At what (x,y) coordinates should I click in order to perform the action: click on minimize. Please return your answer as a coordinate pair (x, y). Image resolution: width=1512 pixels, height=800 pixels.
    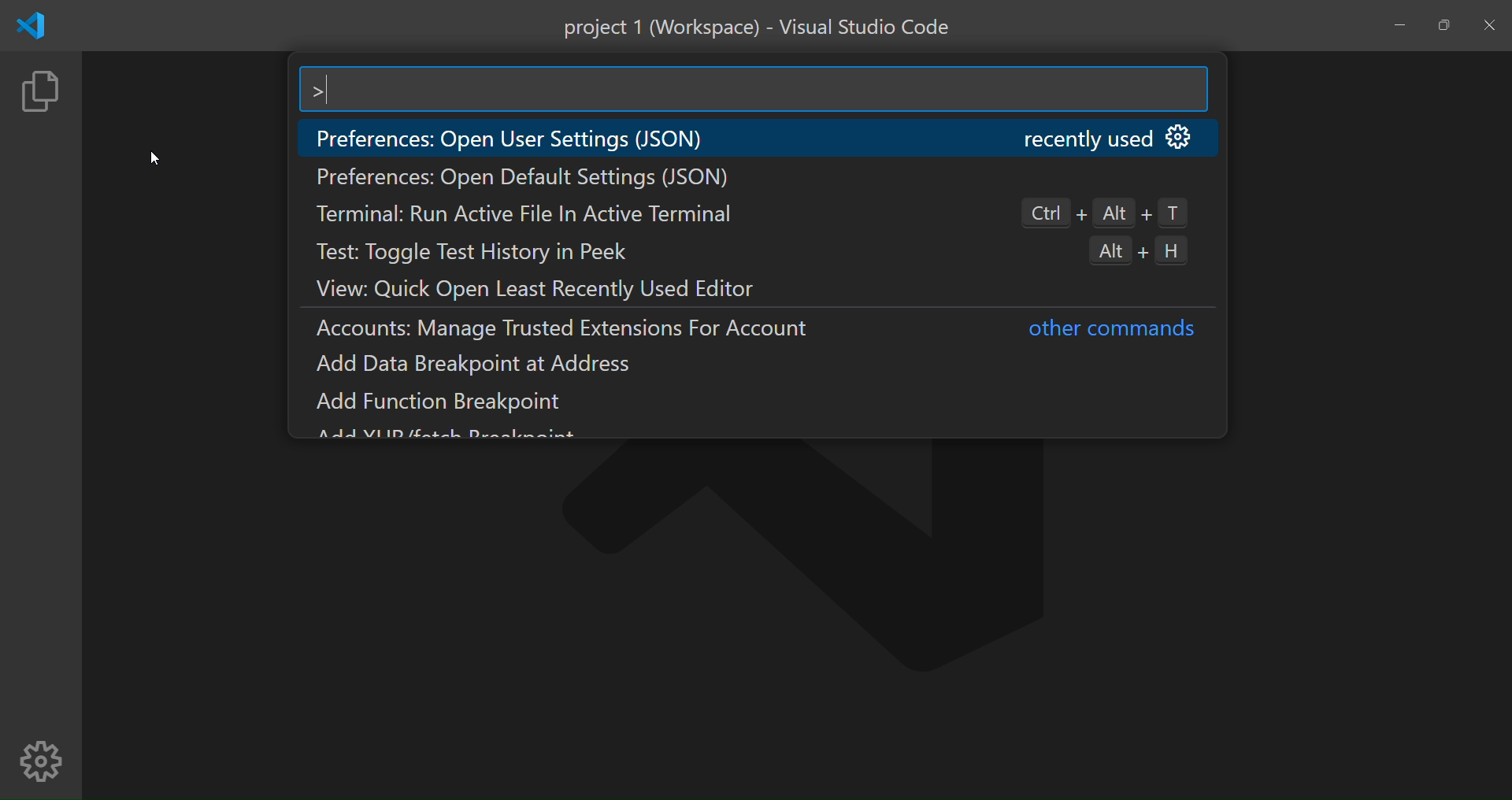
    Looking at the image, I should click on (1401, 24).